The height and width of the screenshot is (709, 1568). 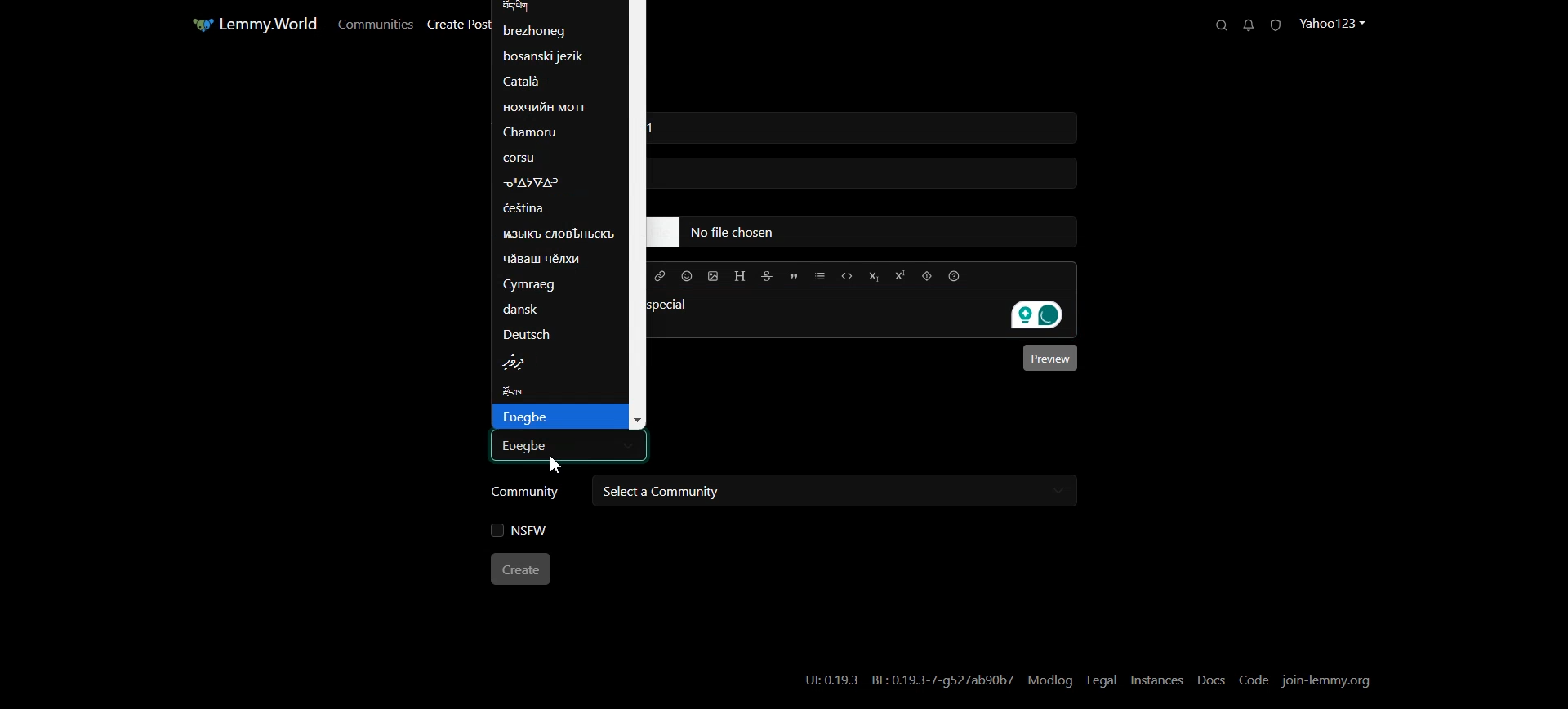 I want to click on Strikethrough, so click(x=768, y=276).